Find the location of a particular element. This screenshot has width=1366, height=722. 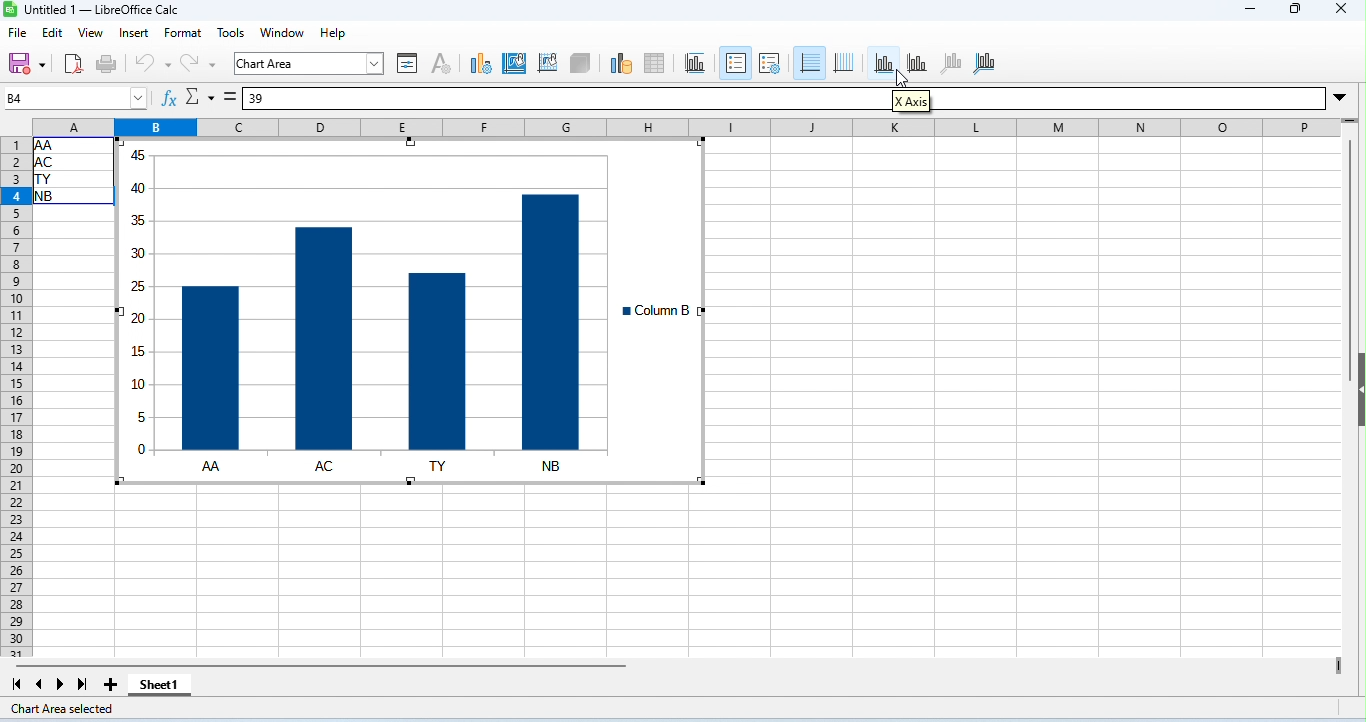

next sheet is located at coordinates (63, 685).